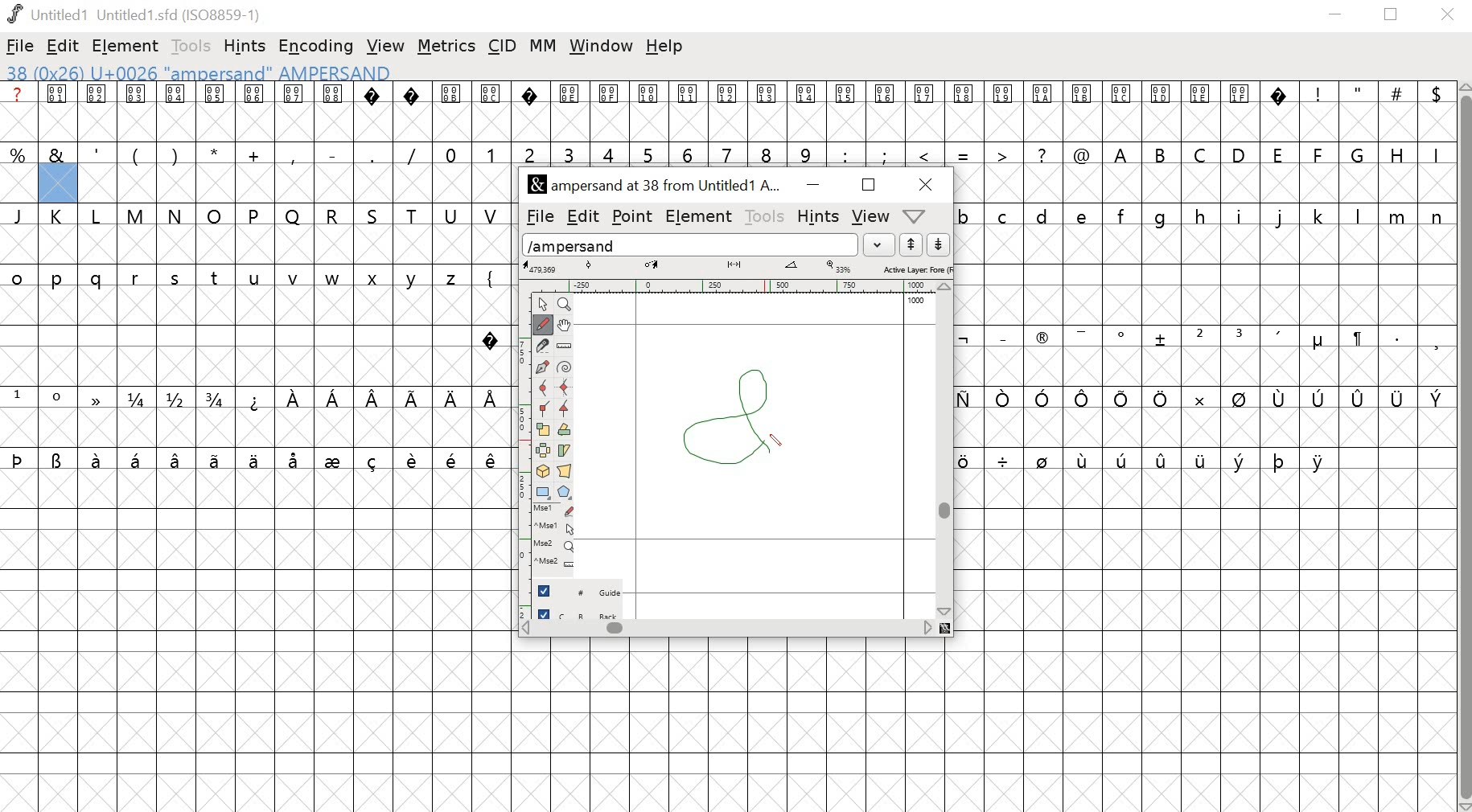 This screenshot has height=812, width=1472. Describe the element at coordinates (792, 268) in the screenshot. I see `angle between points` at that location.